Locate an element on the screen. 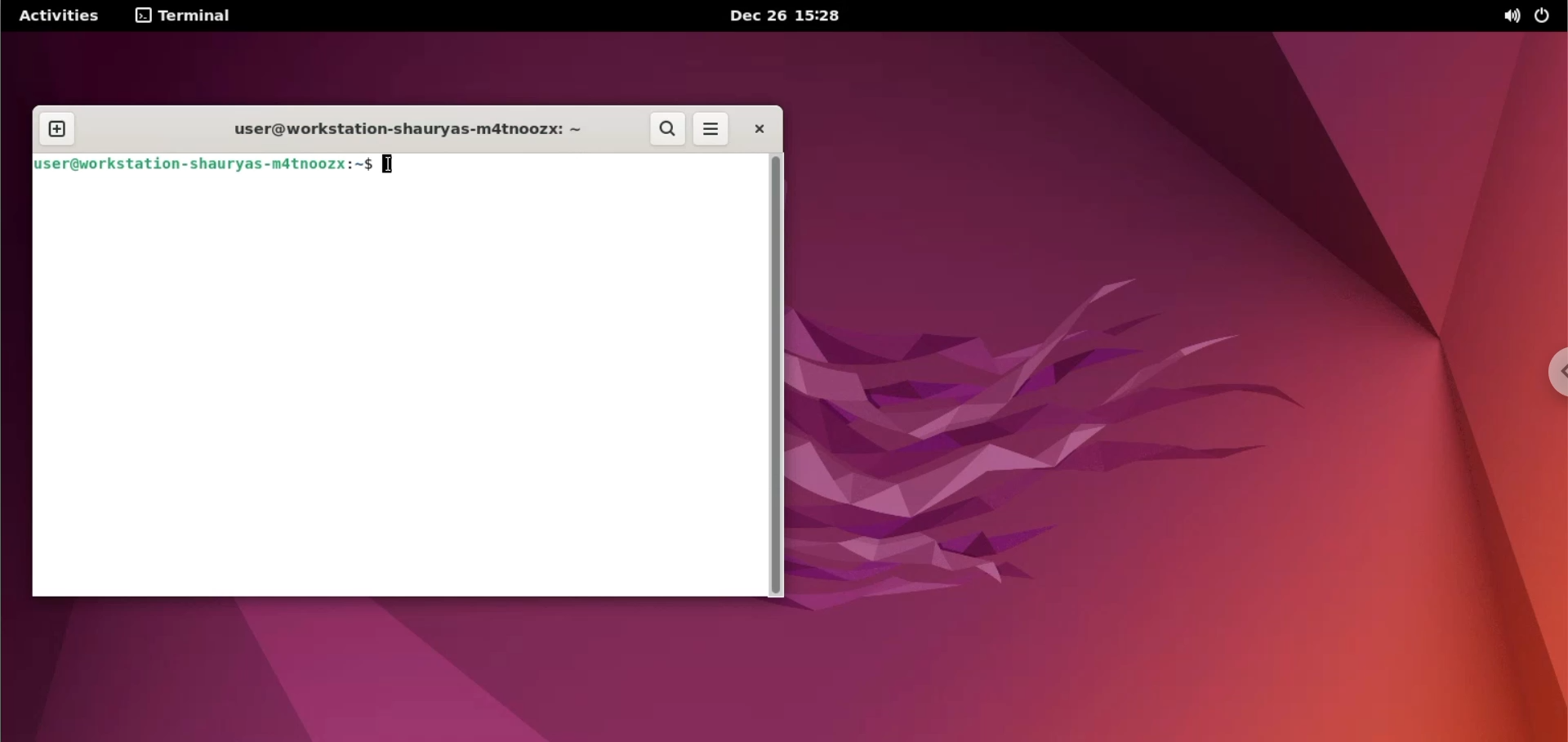 This screenshot has height=742, width=1568. search is located at coordinates (667, 129).